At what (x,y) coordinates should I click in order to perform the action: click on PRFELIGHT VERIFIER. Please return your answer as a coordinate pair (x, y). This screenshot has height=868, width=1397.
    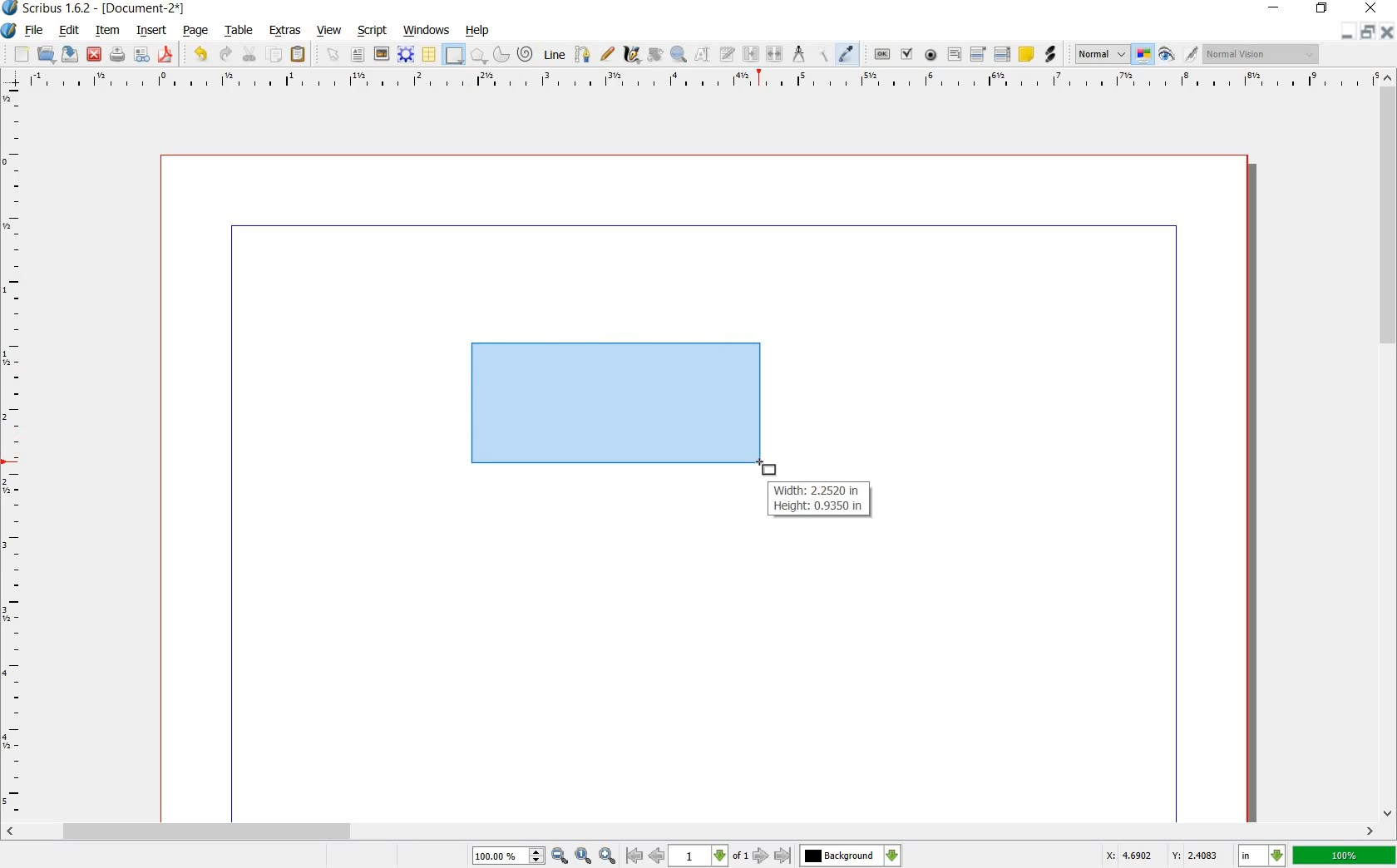
    Looking at the image, I should click on (141, 56).